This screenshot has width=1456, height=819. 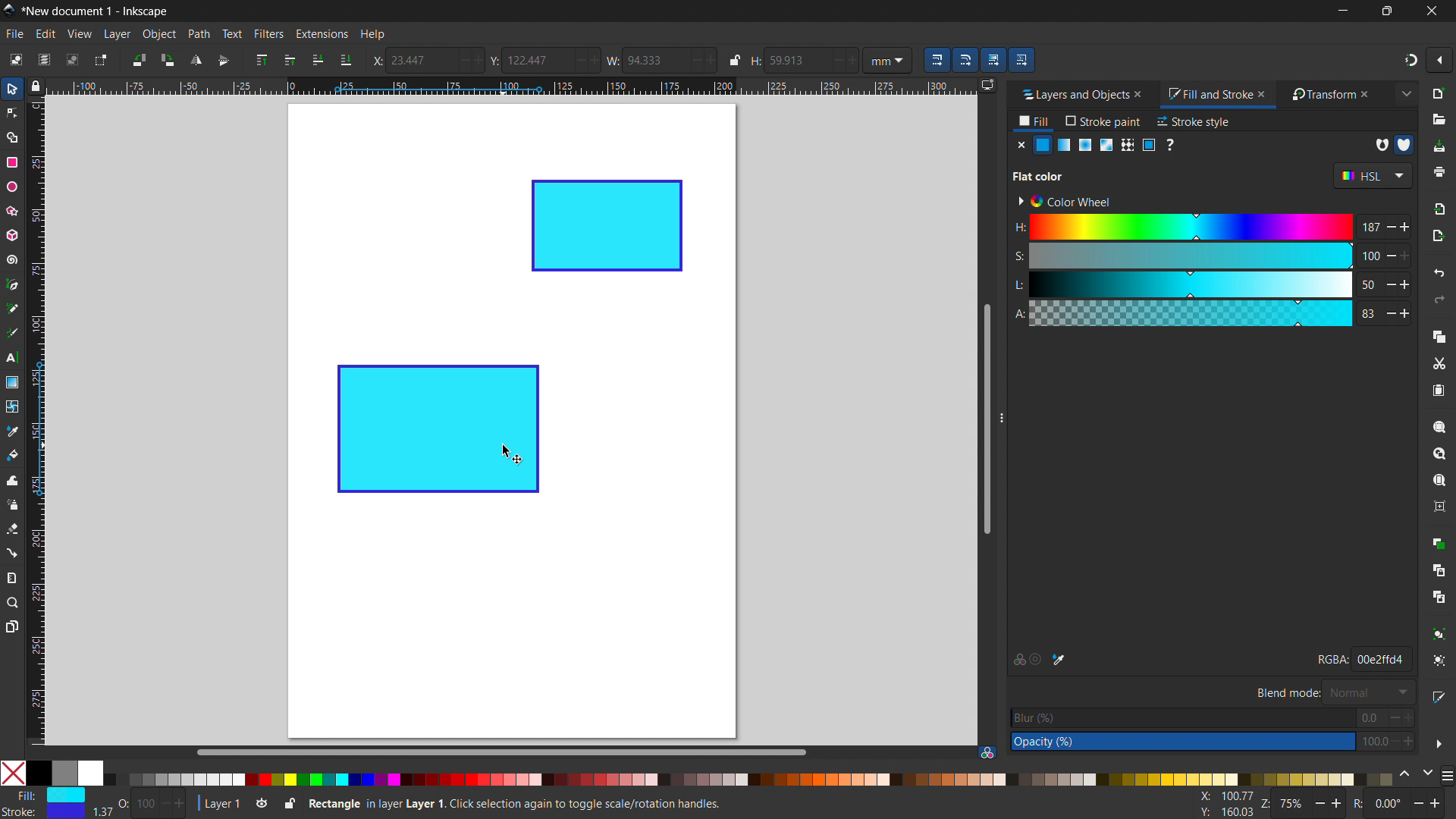 I want to click on undo, so click(x=1439, y=272).